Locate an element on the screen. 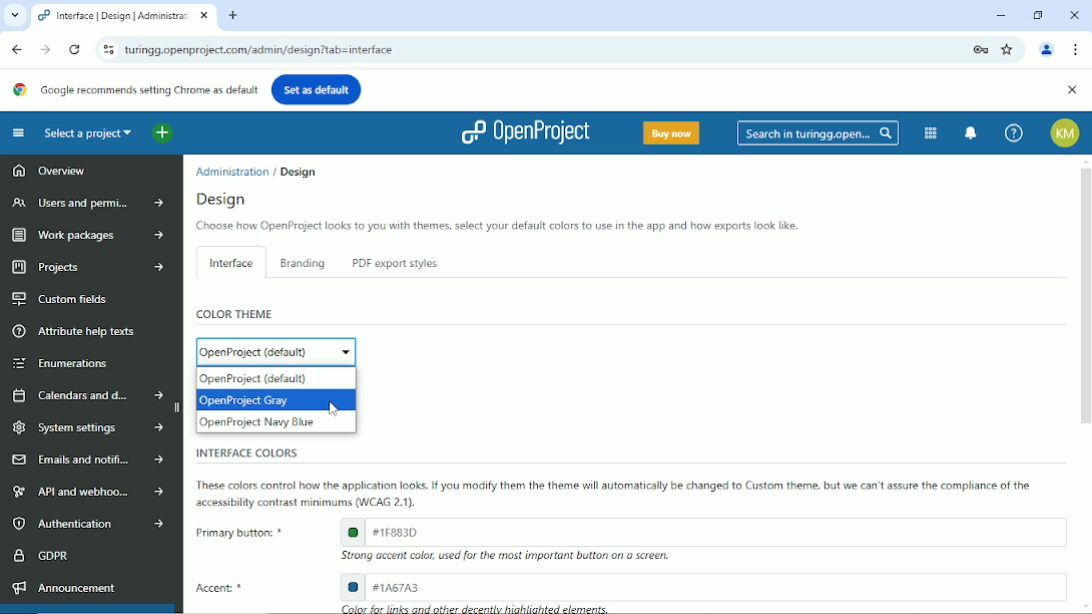 Image resolution: width=1092 pixels, height=614 pixels. Reload this page is located at coordinates (74, 50).